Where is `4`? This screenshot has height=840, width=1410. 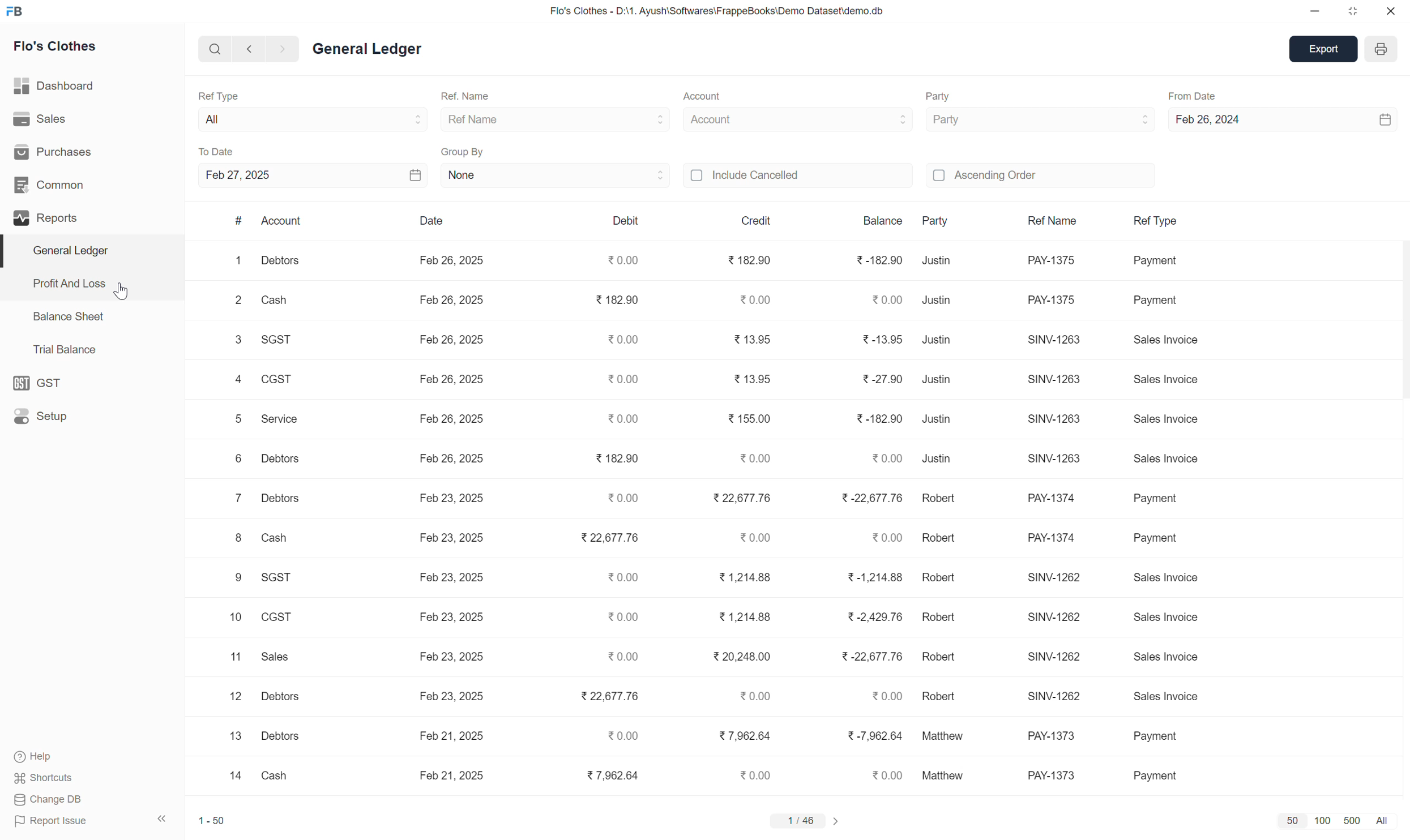 4 is located at coordinates (234, 382).